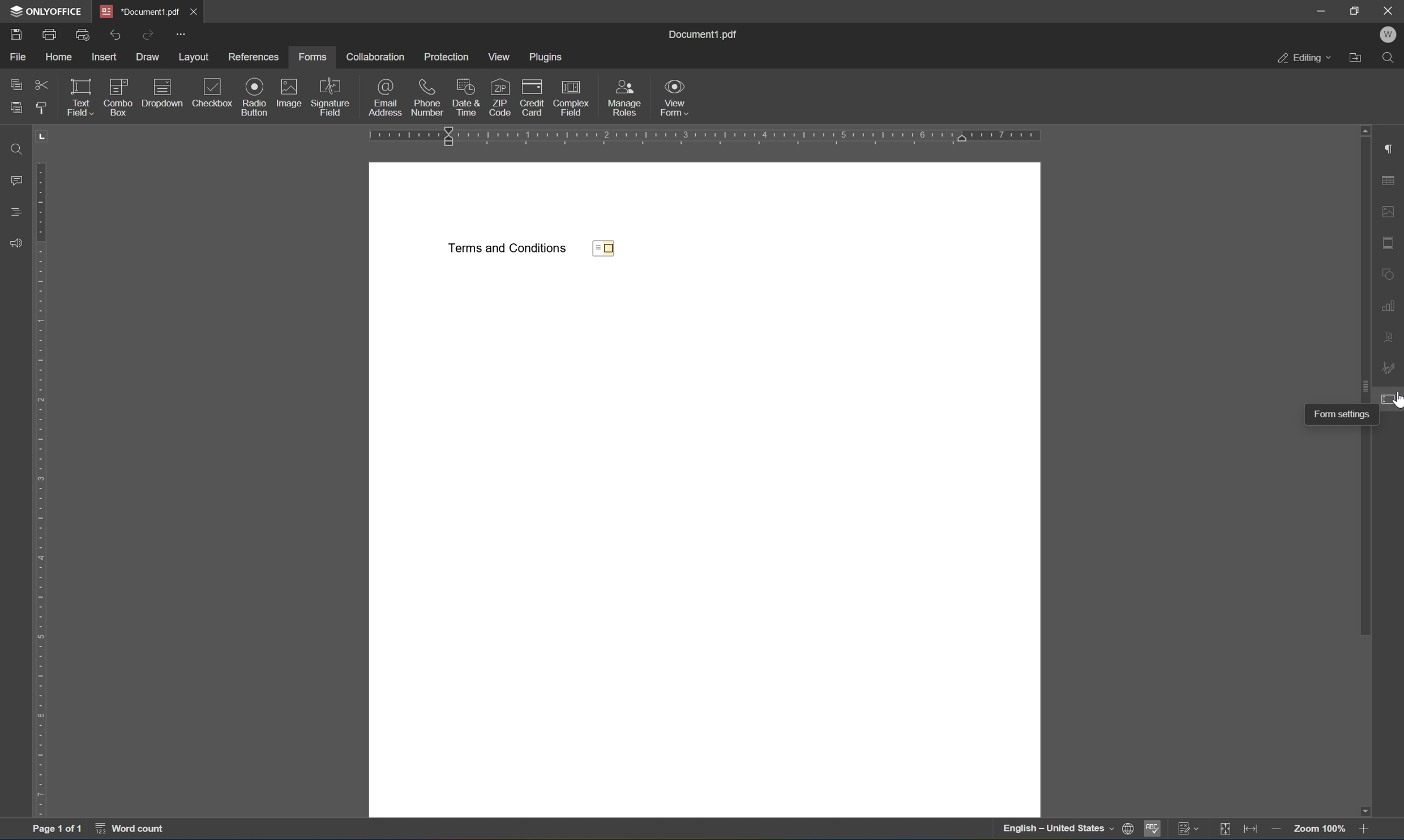  What do you see at coordinates (148, 36) in the screenshot?
I see `redo` at bounding box center [148, 36].